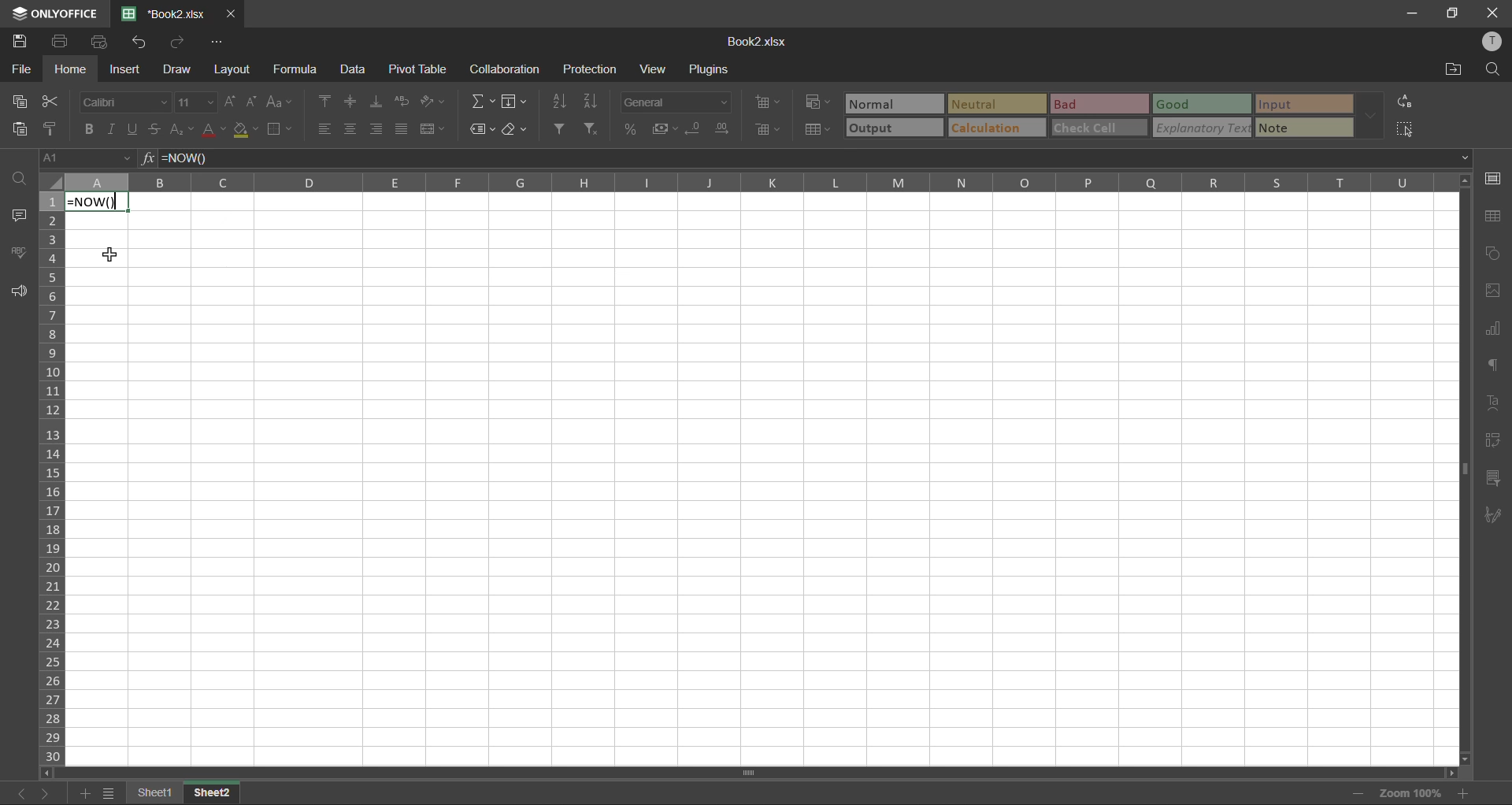 The width and height of the screenshot is (1512, 805). I want to click on bed, so click(1098, 106).